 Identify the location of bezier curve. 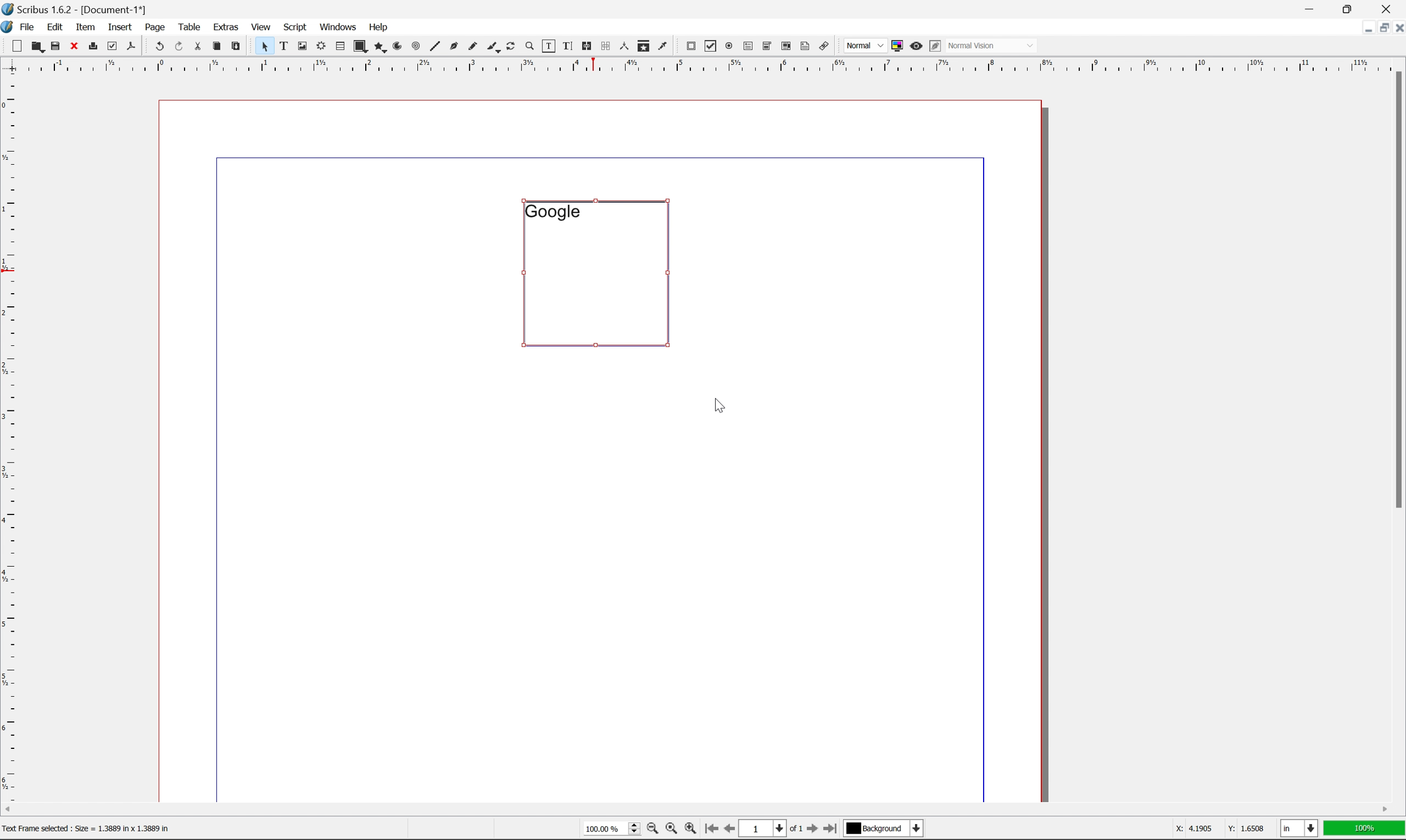
(454, 46).